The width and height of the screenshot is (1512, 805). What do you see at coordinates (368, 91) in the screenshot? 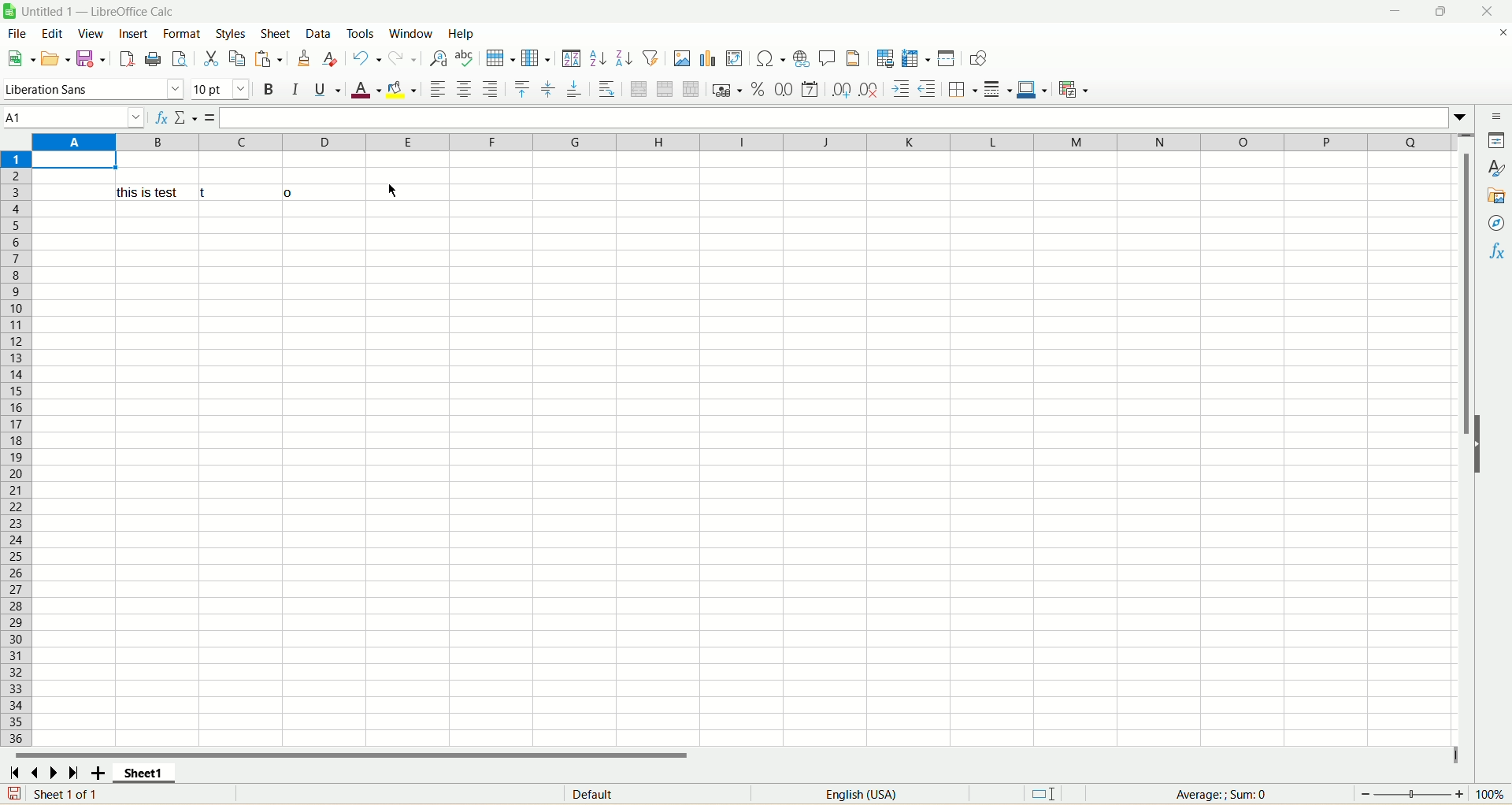
I see `font color` at bounding box center [368, 91].